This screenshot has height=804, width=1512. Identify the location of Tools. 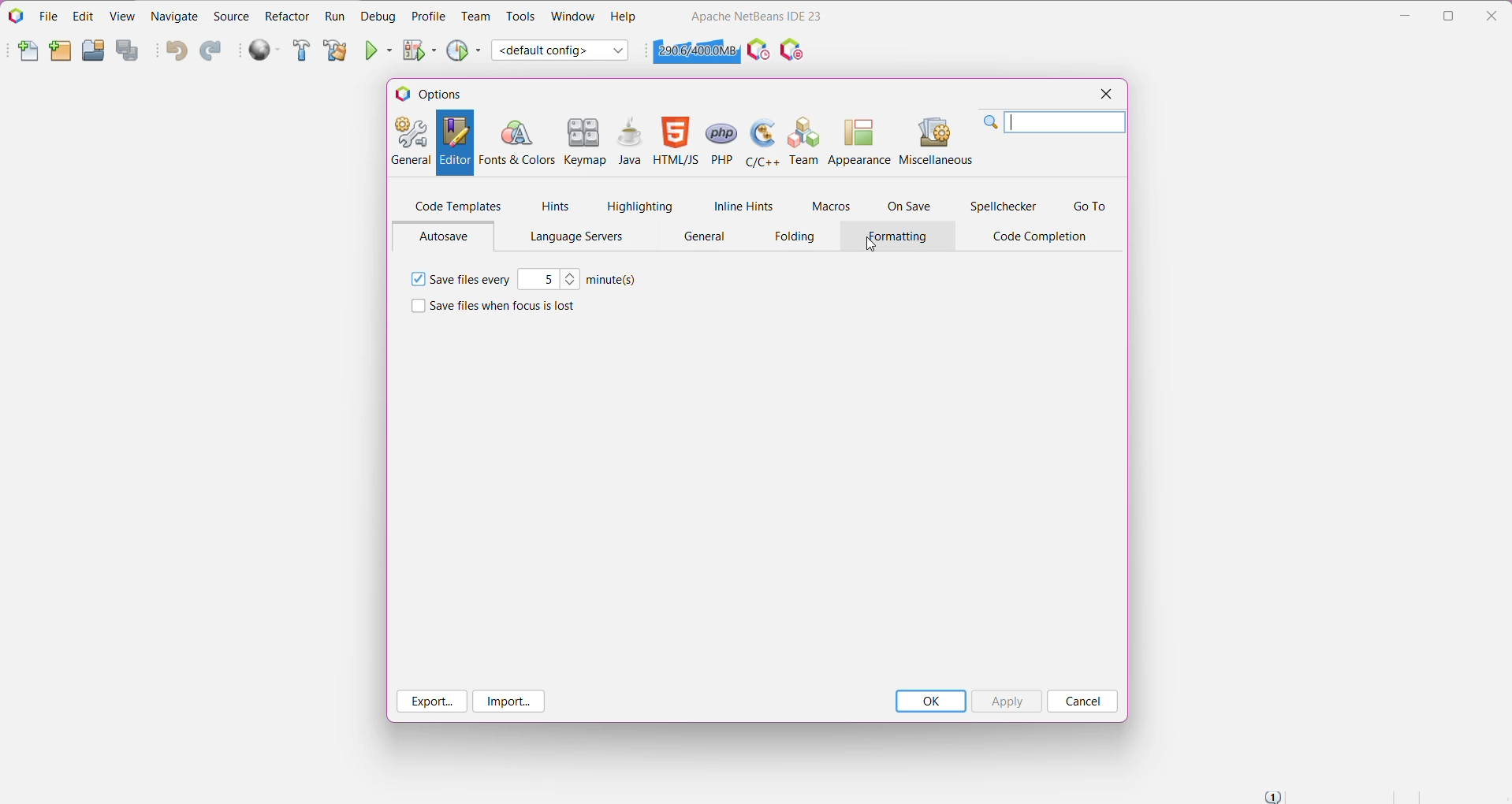
(521, 17).